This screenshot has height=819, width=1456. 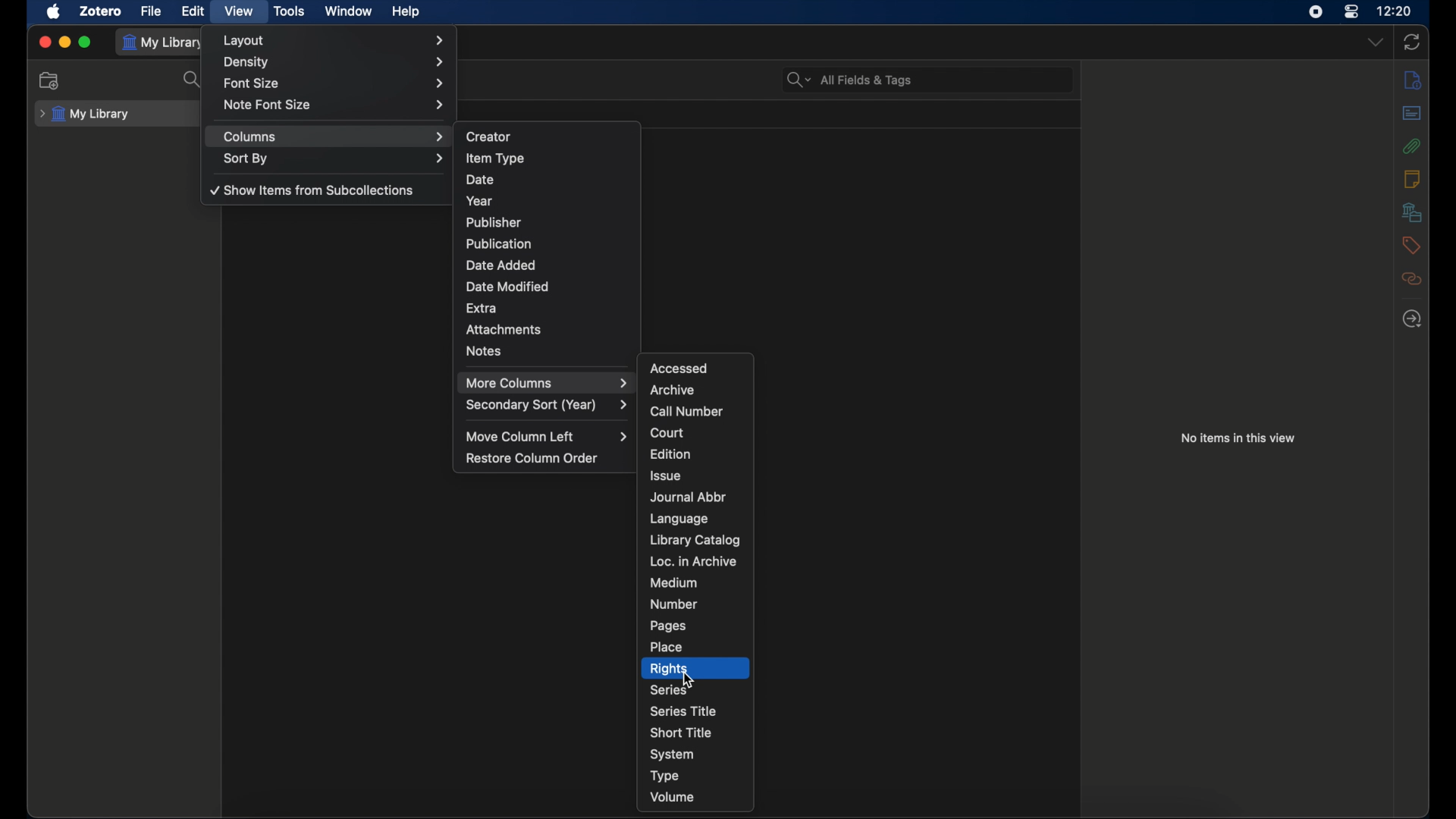 I want to click on restore column order, so click(x=532, y=458).